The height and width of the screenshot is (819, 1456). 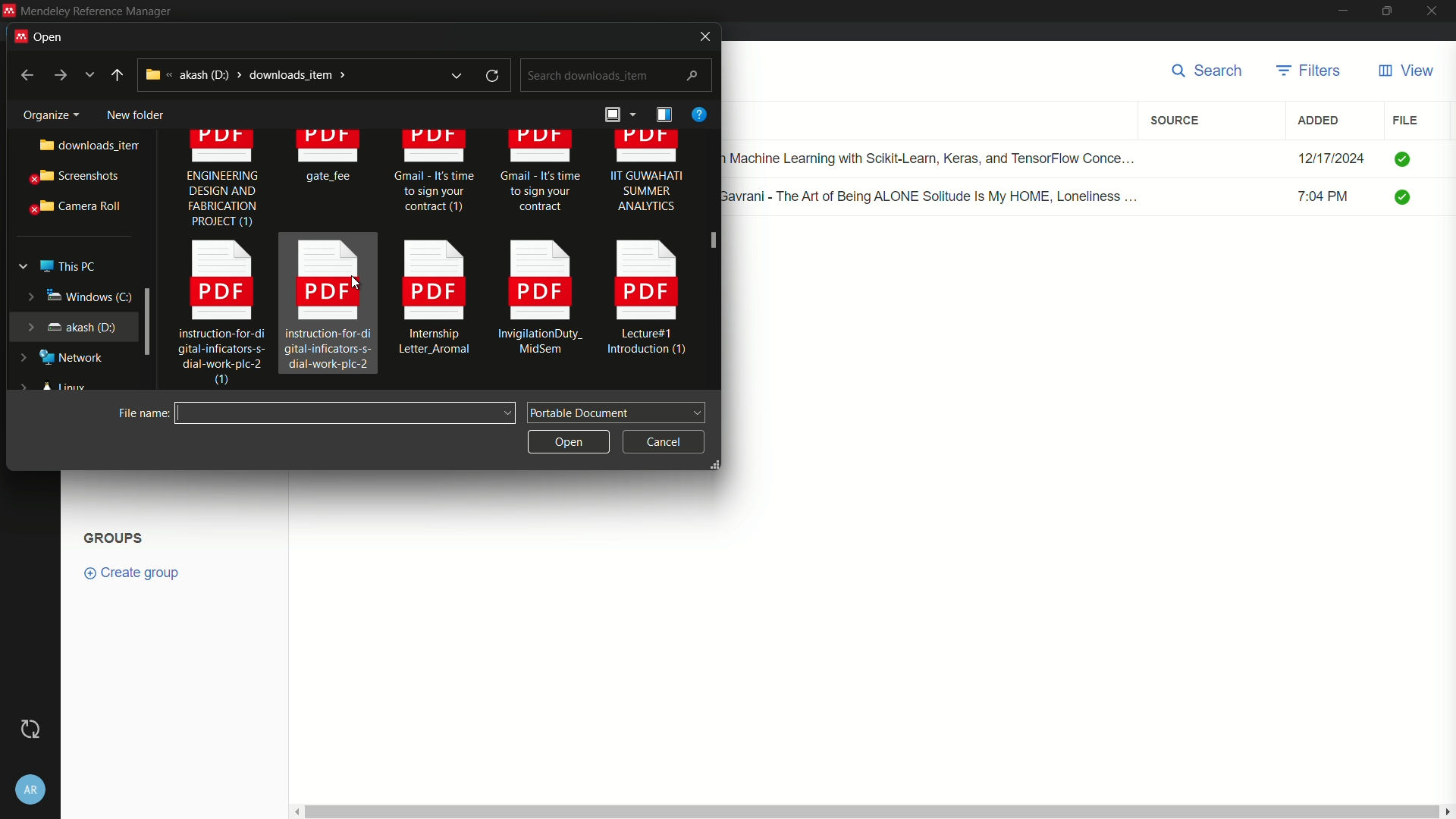 I want to click on file name: , so click(x=347, y=413).